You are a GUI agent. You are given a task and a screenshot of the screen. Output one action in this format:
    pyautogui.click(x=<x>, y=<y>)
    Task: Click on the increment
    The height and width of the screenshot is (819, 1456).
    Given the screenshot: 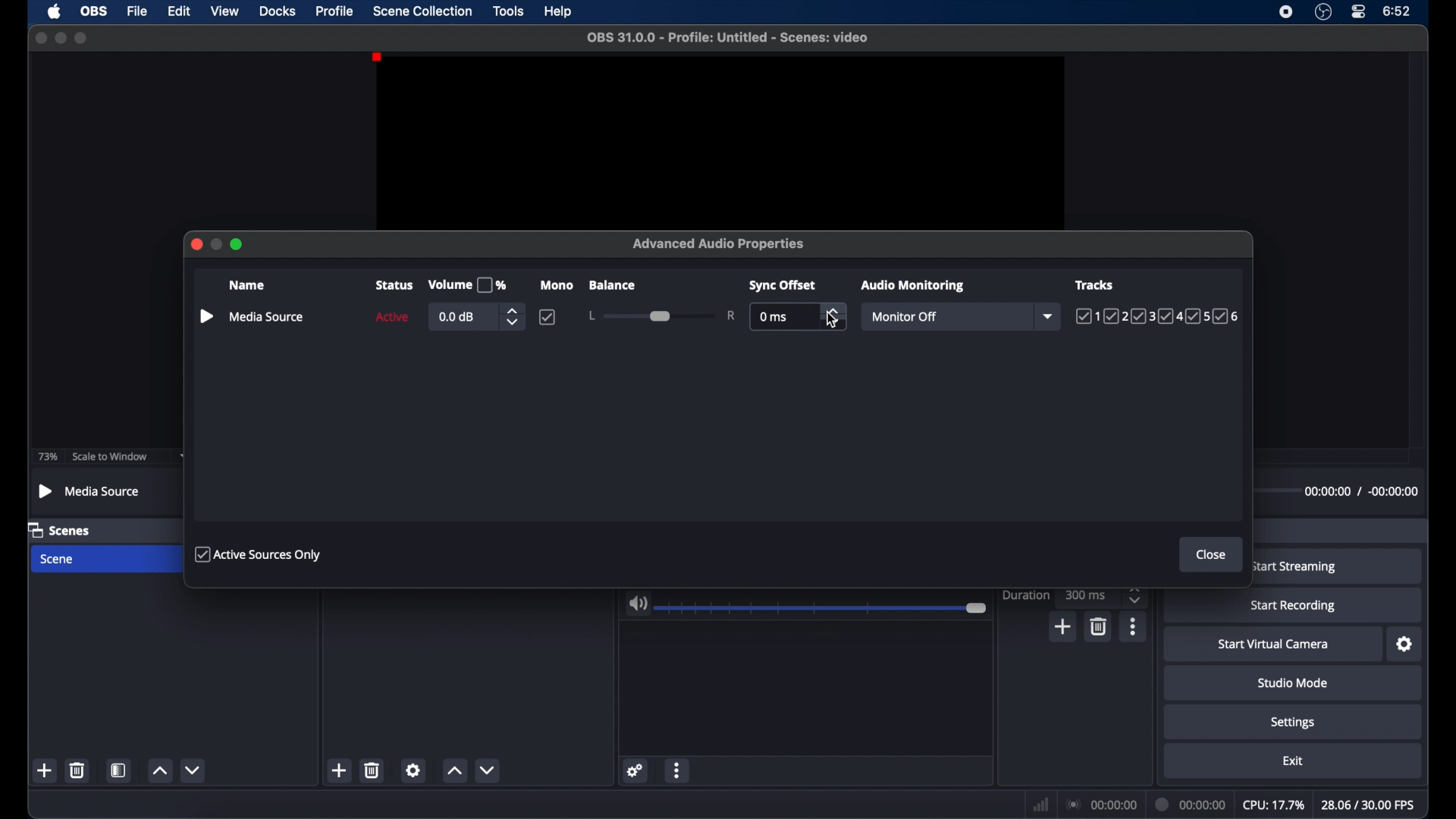 What is the action you would take?
    pyautogui.click(x=454, y=770)
    